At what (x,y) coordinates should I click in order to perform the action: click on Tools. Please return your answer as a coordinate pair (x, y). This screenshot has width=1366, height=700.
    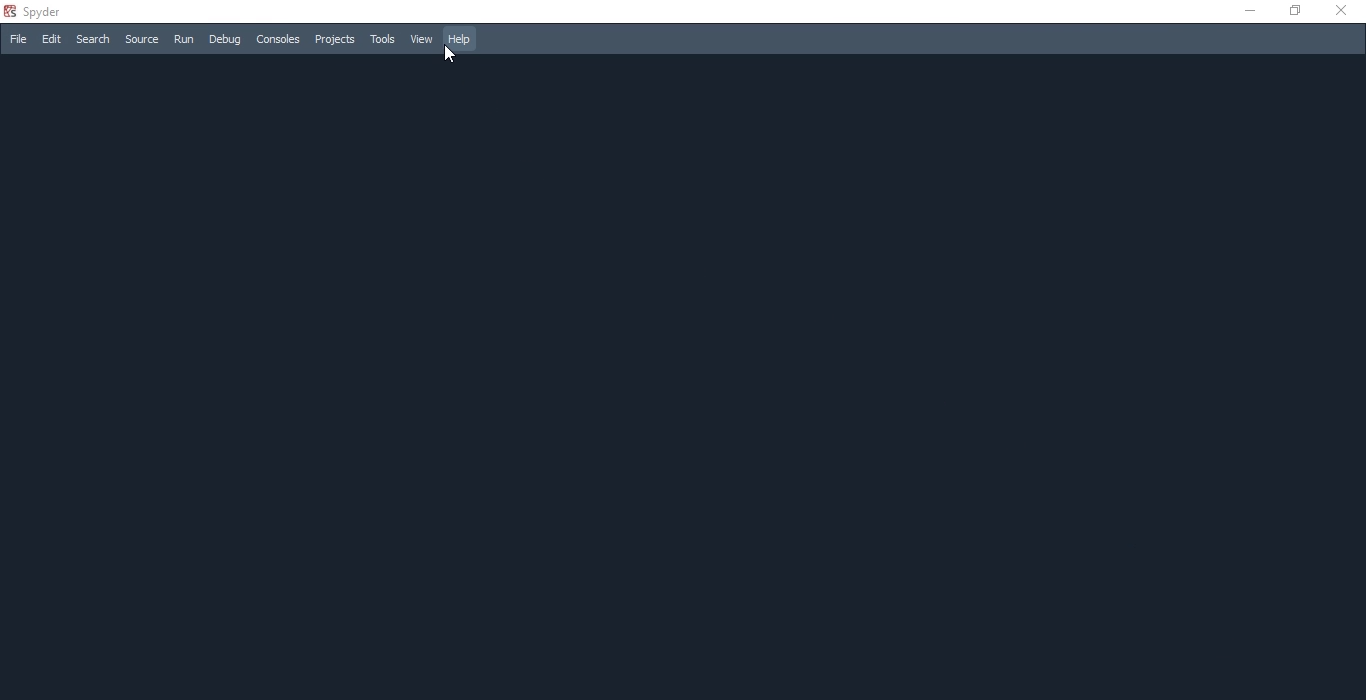
    Looking at the image, I should click on (384, 40).